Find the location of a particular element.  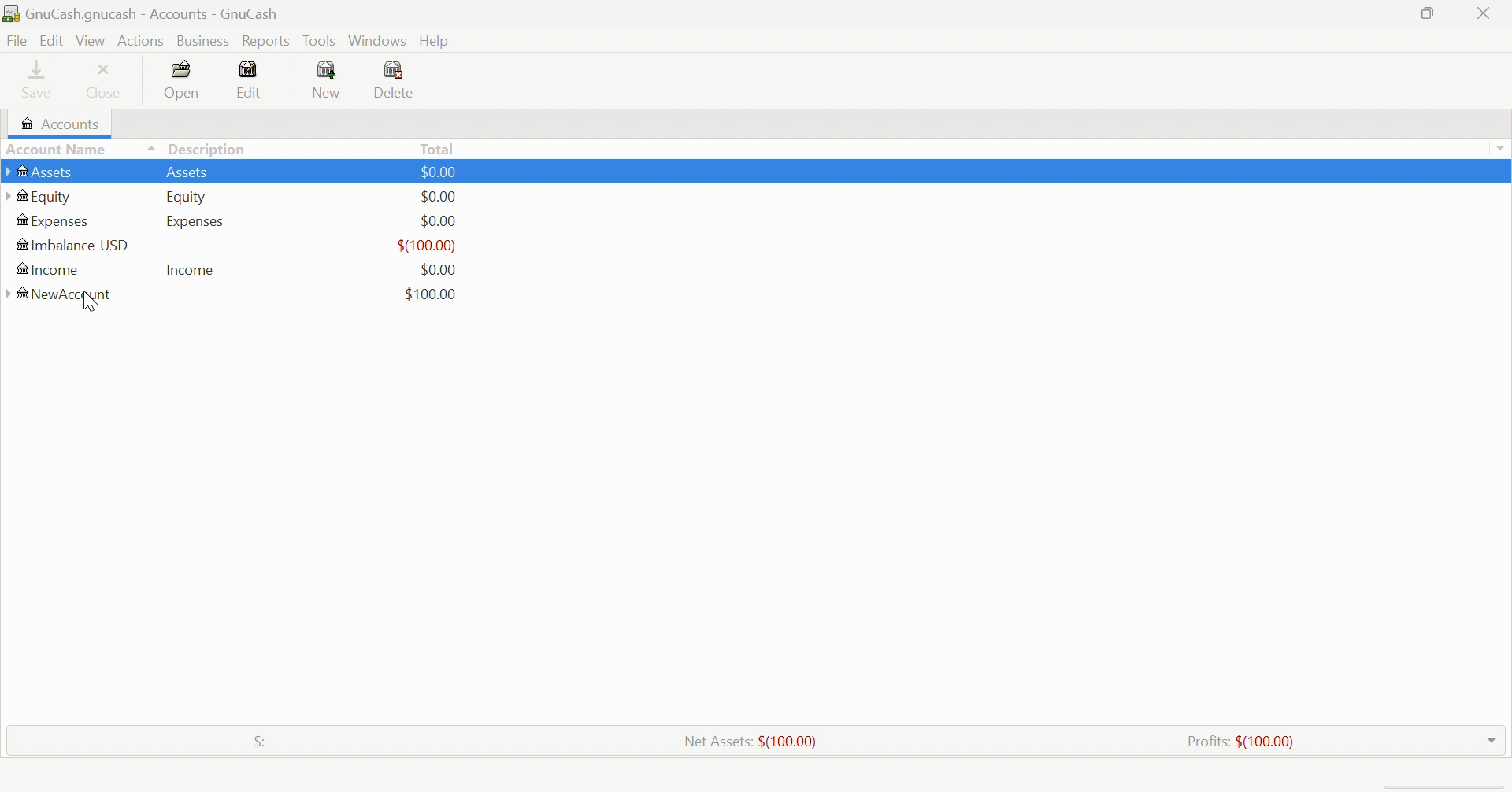

Expenses is located at coordinates (51, 223).